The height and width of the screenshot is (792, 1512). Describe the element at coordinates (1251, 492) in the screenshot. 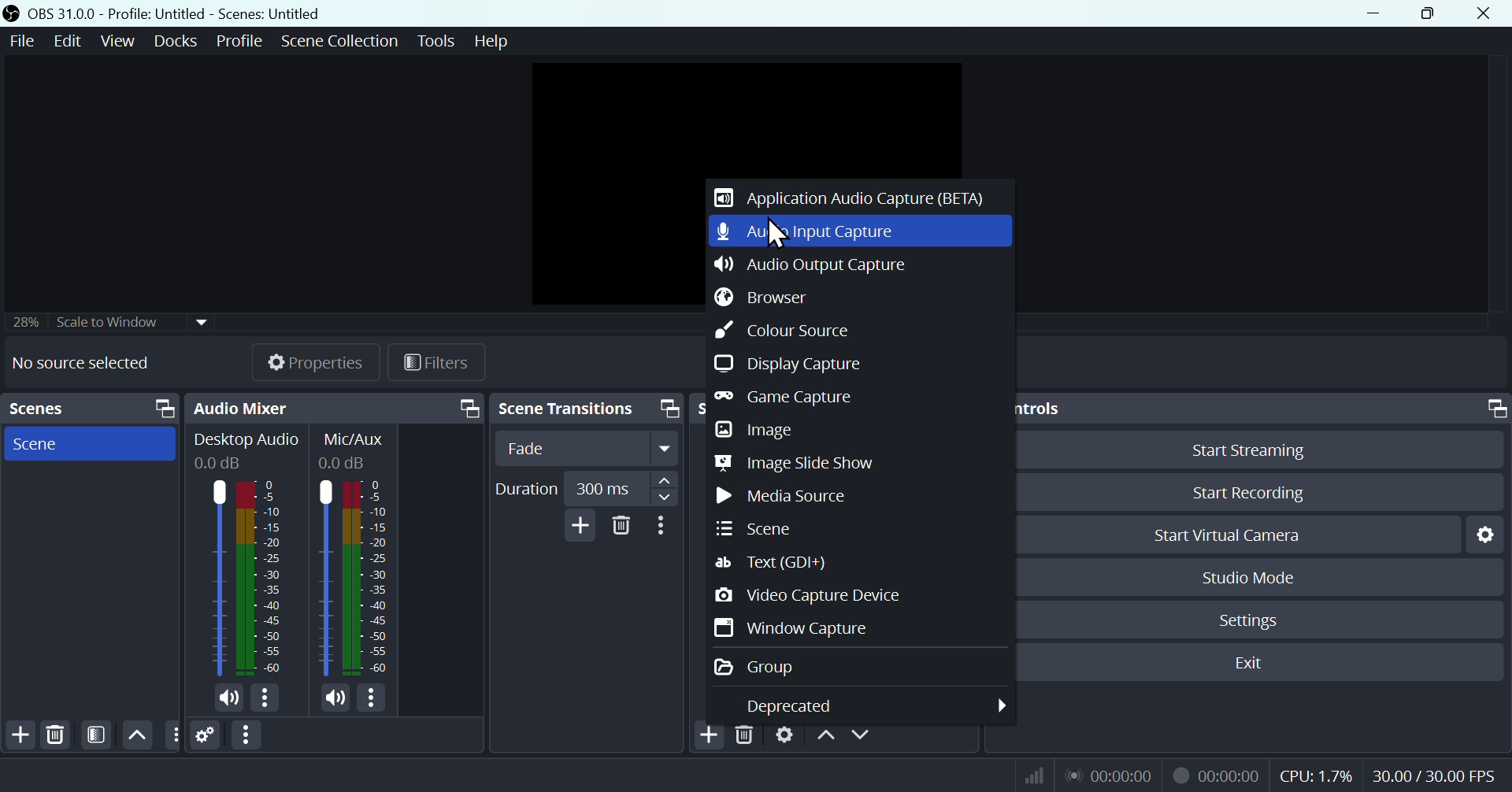

I see `Start recording` at that location.